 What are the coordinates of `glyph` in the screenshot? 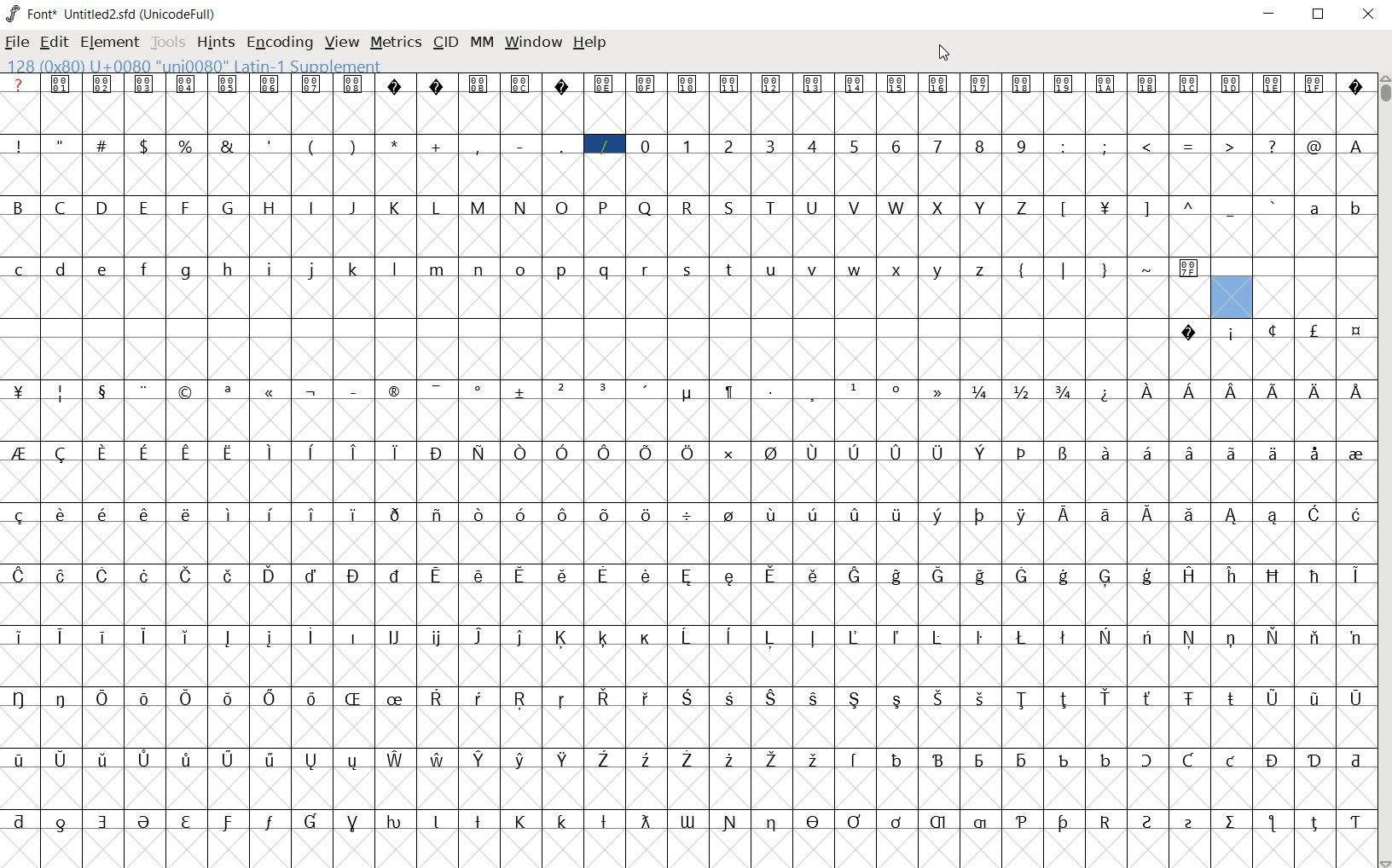 It's located at (353, 576).